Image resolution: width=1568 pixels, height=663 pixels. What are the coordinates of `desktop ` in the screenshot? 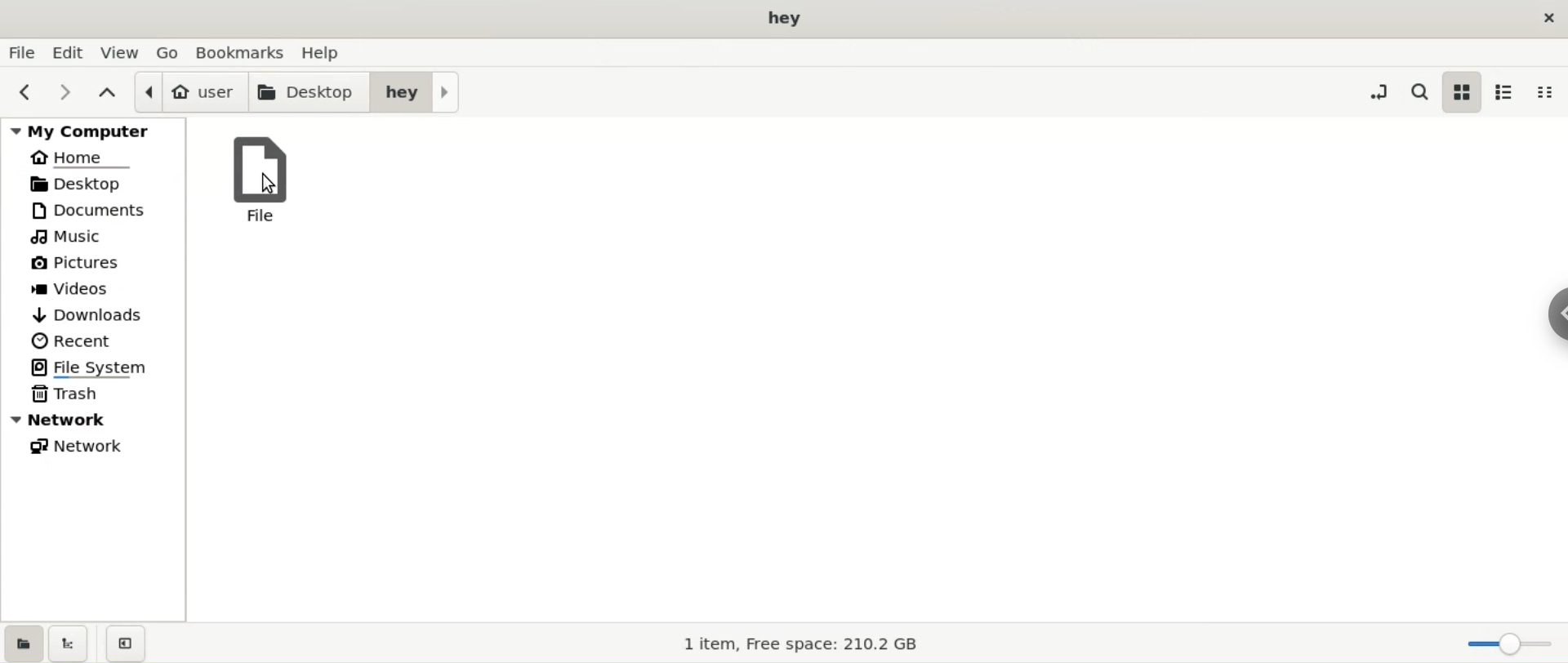 It's located at (310, 91).